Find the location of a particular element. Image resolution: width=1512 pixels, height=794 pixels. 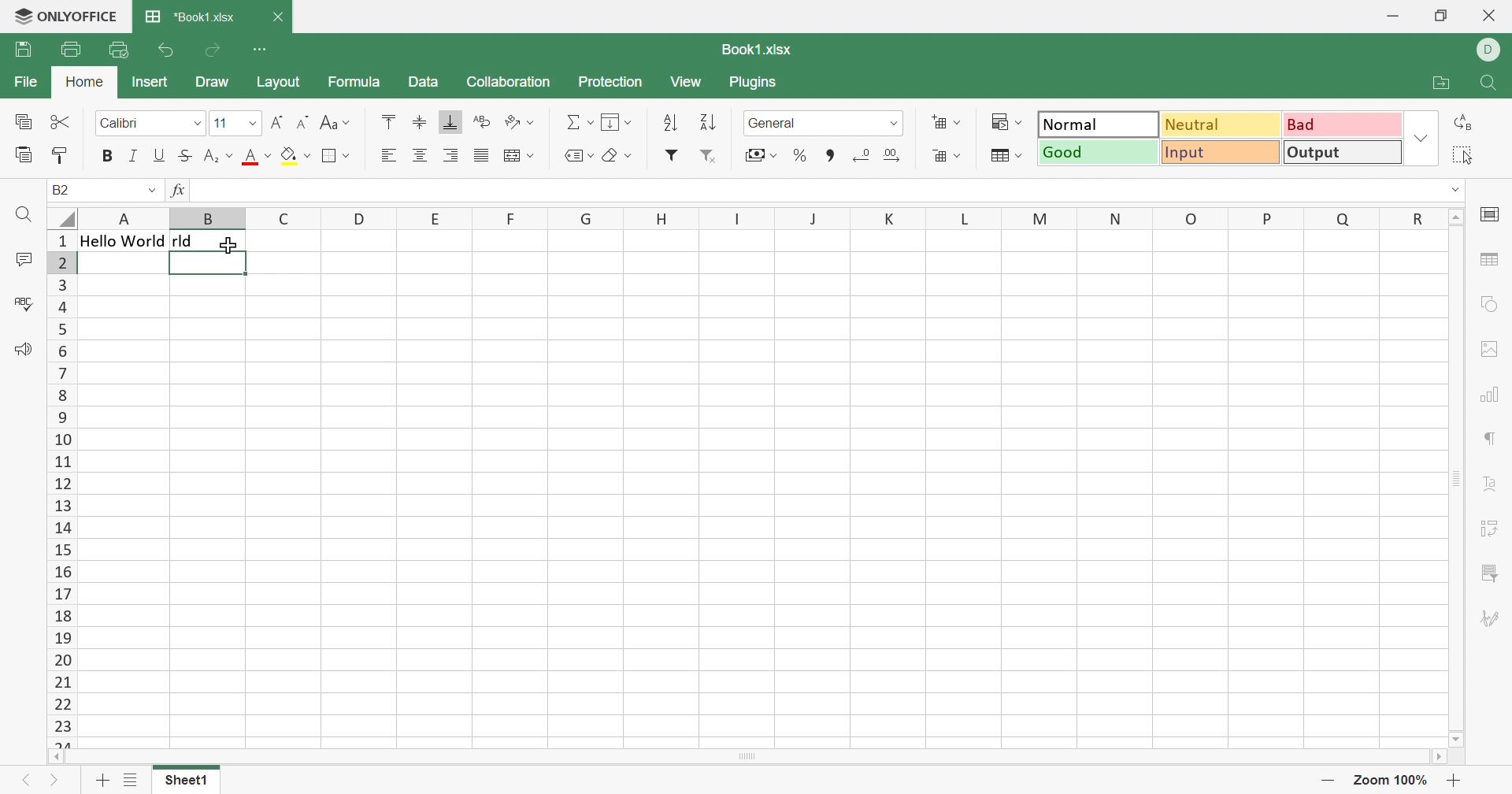

Conditional formatting is located at coordinates (1004, 121).